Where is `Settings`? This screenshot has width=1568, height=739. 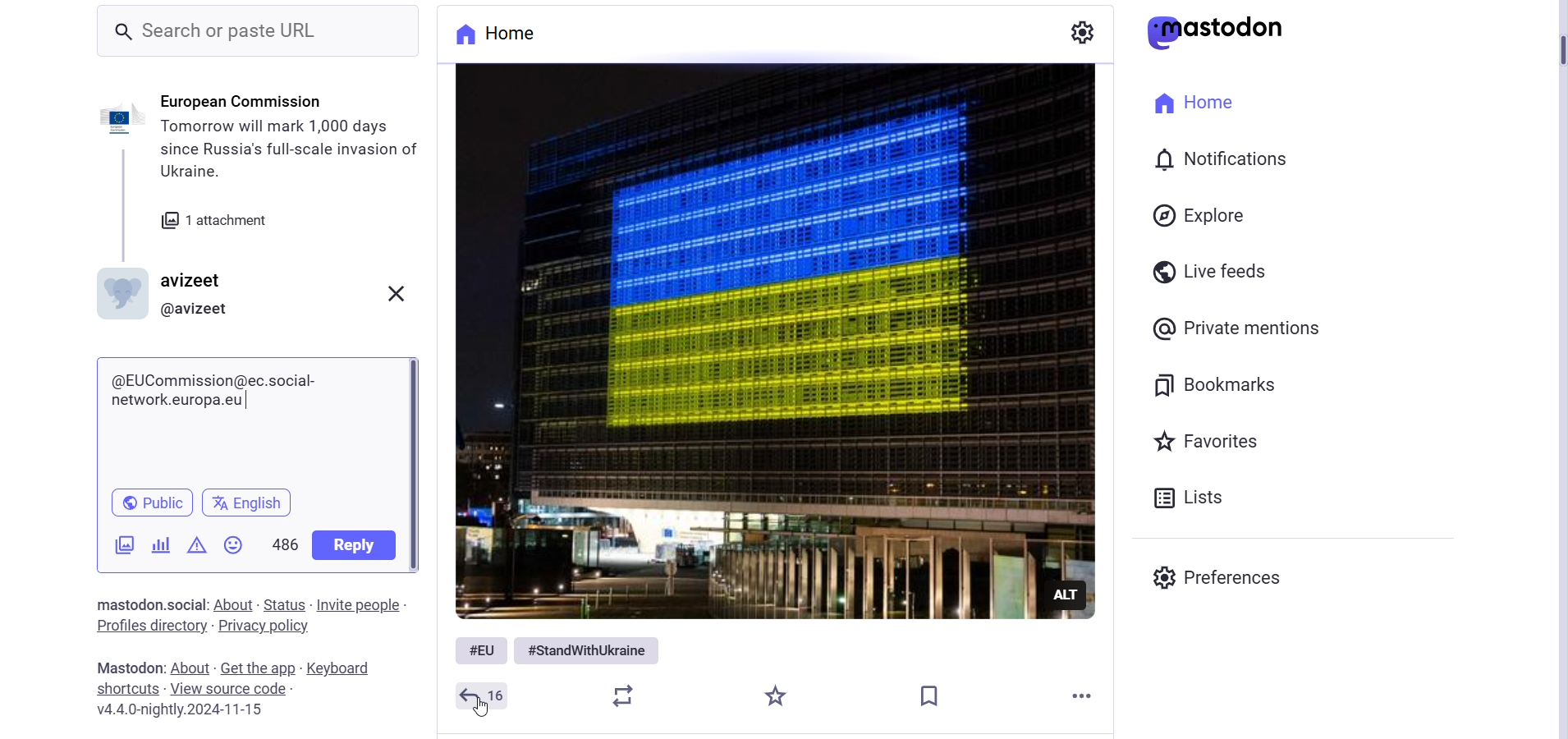 Settings is located at coordinates (1084, 32).